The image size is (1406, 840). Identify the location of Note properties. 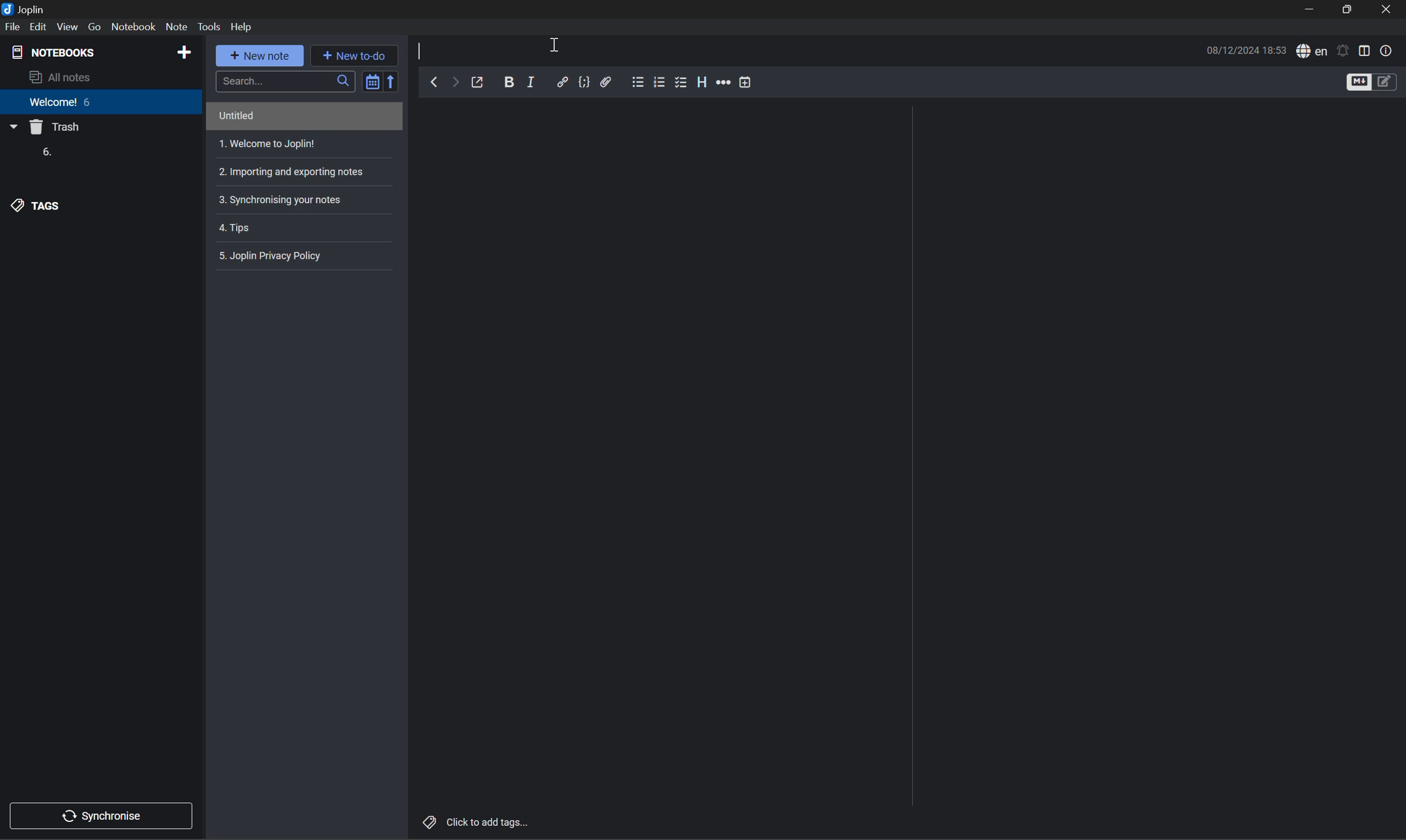
(1386, 50).